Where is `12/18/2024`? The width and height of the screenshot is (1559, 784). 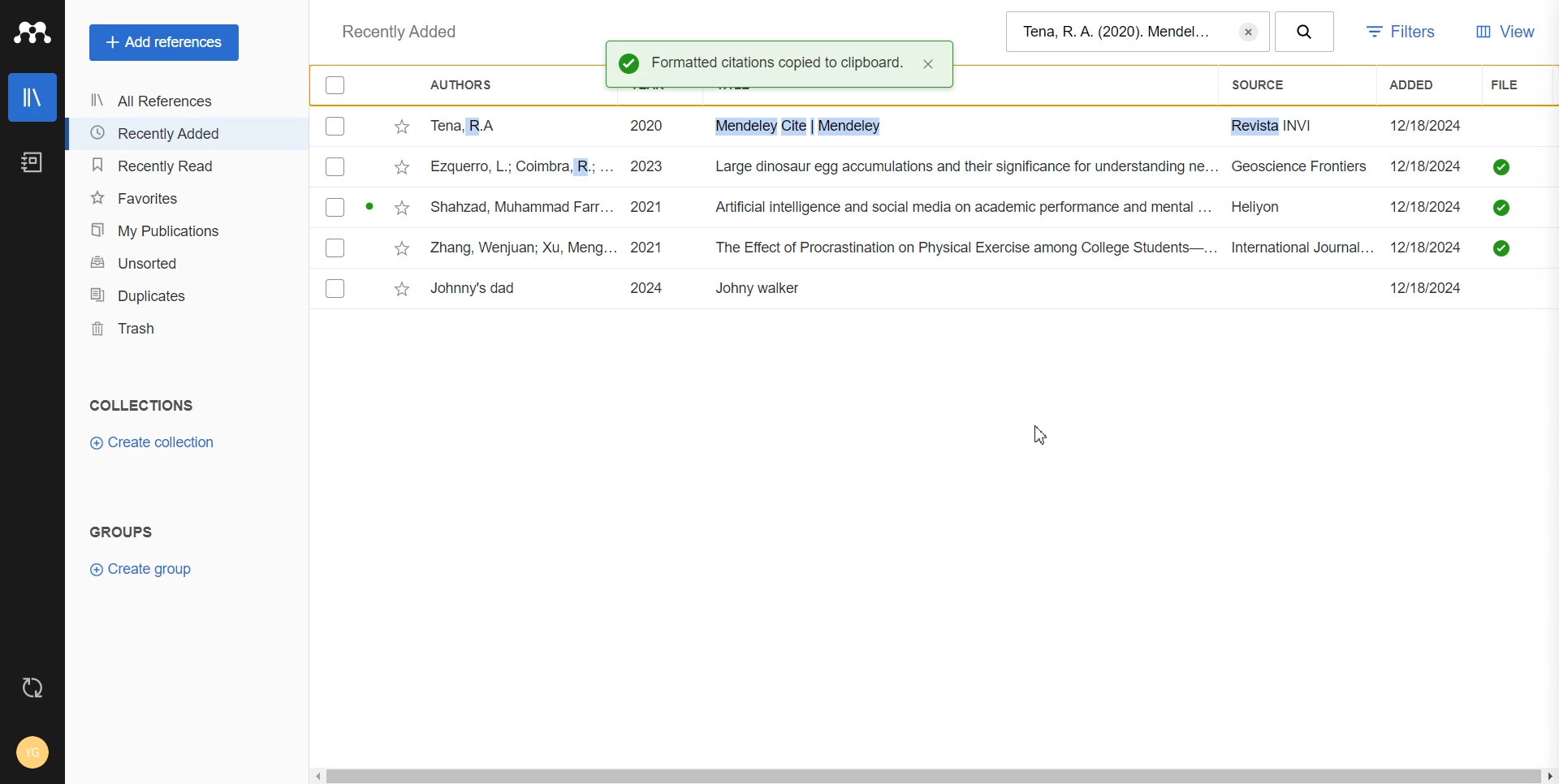
12/18/2024 is located at coordinates (1432, 205).